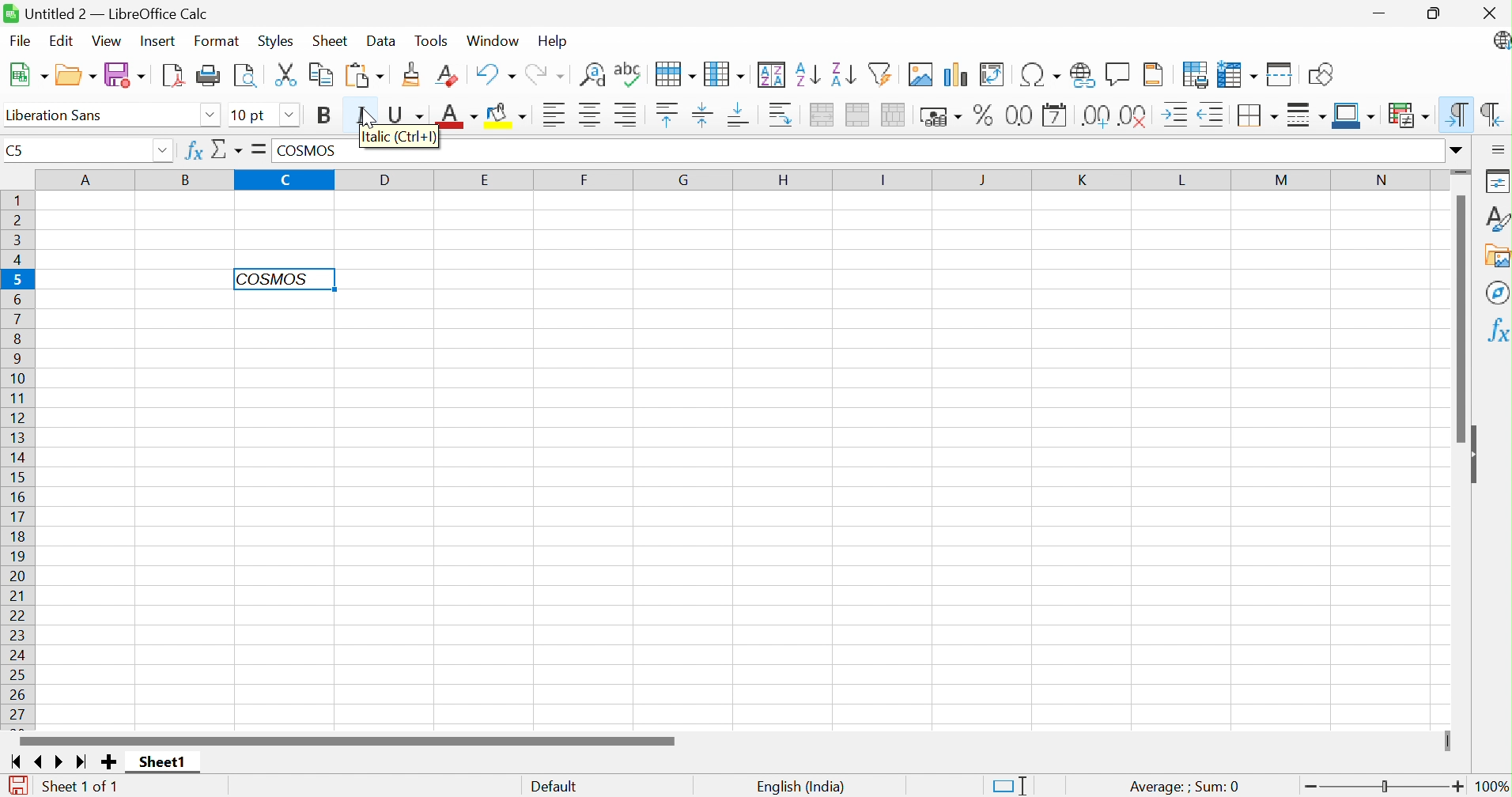 The image size is (1512, 797). What do you see at coordinates (192, 151) in the screenshot?
I see `Function wizard` at bounding box center [192, 151].